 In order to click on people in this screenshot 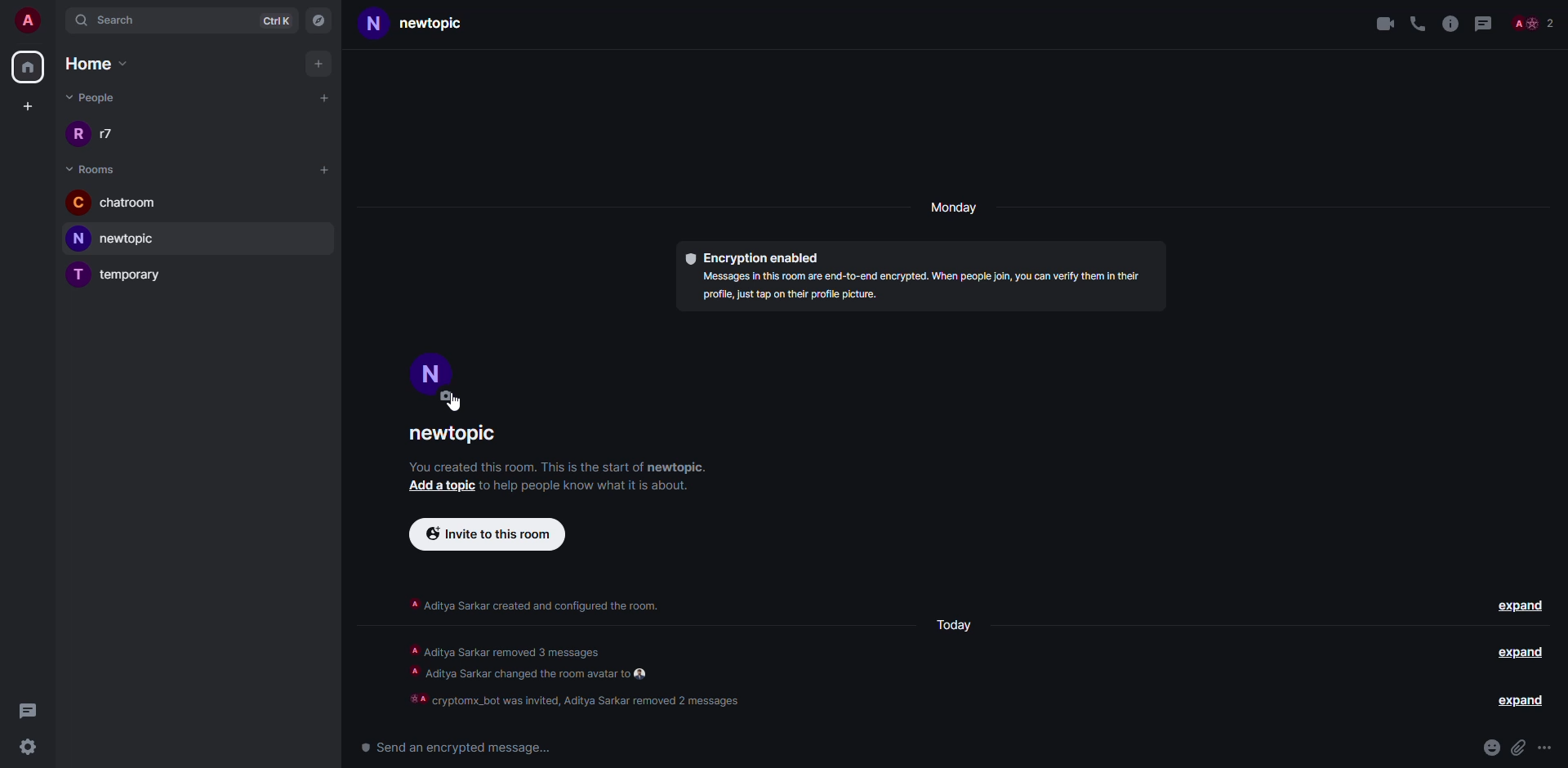, I will do `click(93, 96)`.